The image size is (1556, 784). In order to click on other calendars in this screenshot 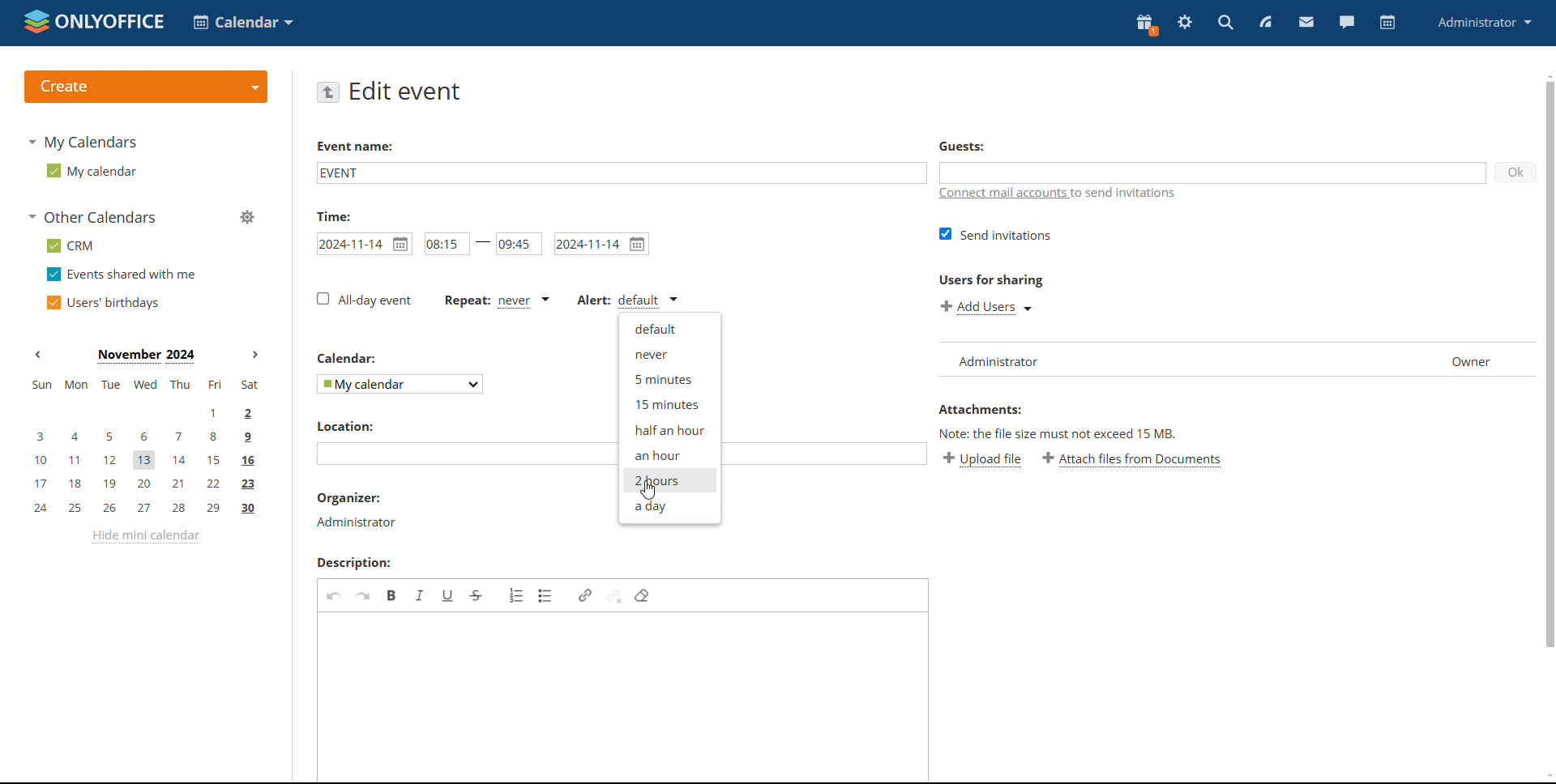, I will do `click(90, 217)`.